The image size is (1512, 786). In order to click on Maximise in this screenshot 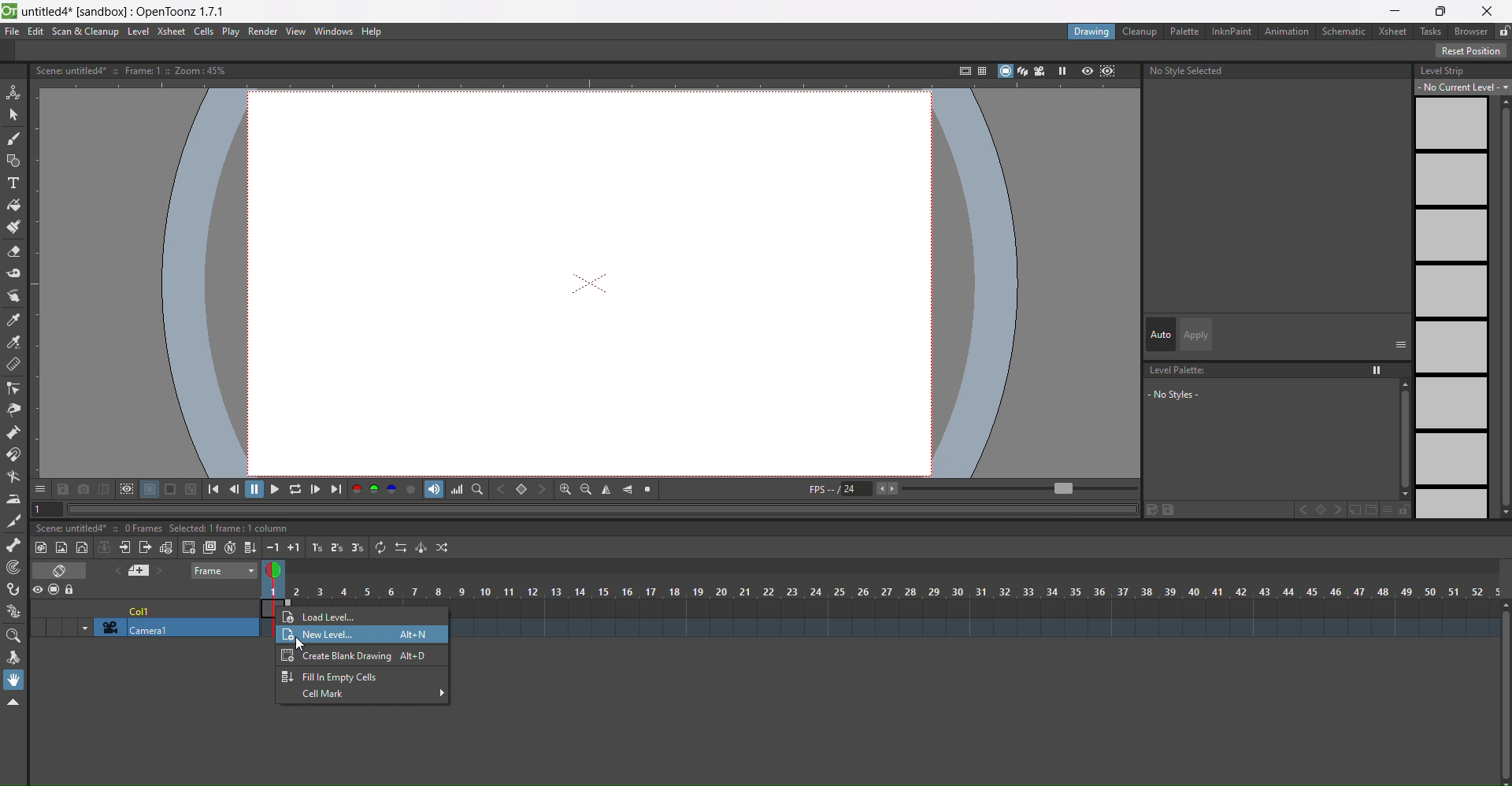, I will do `click(1443, 11)`.